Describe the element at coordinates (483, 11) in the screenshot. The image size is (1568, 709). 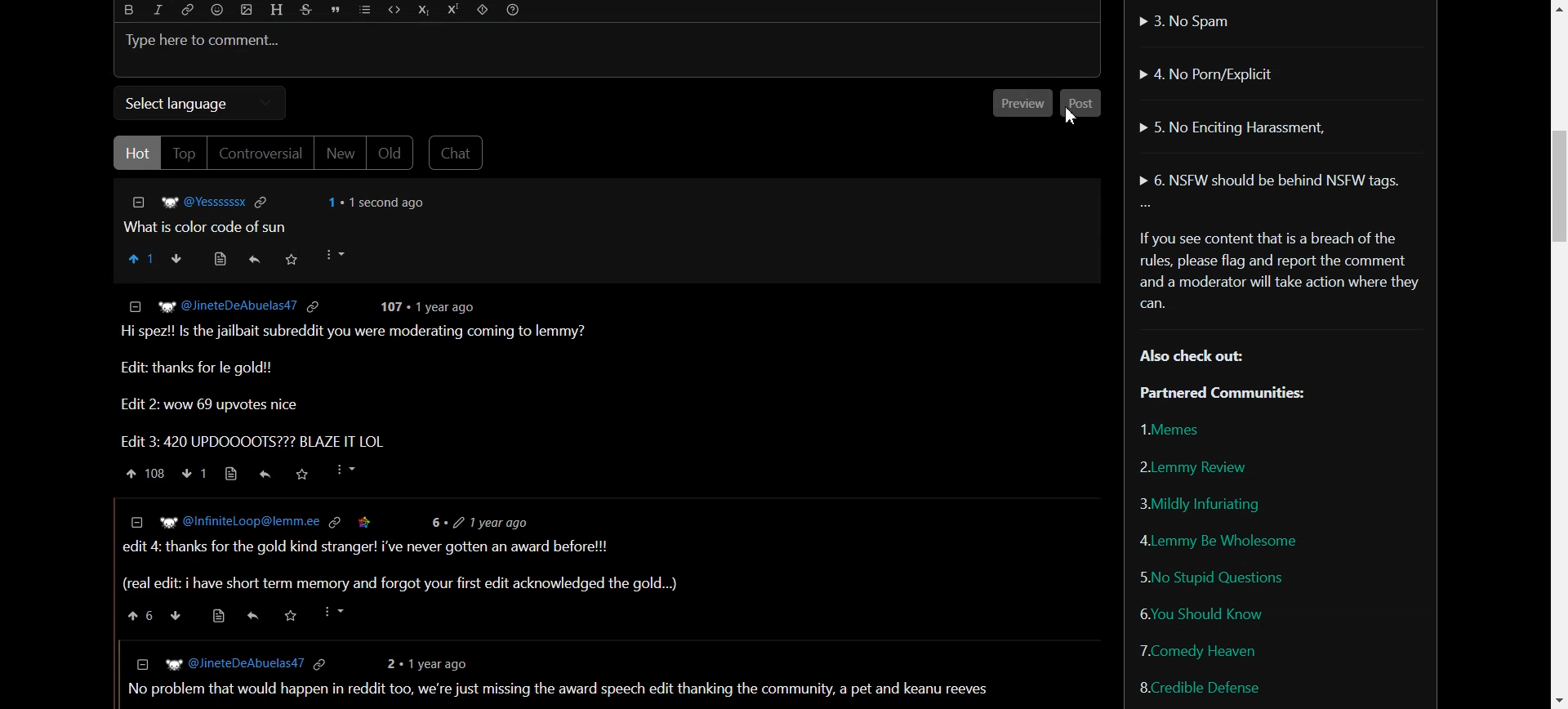
I see `Spoiler` at that location.